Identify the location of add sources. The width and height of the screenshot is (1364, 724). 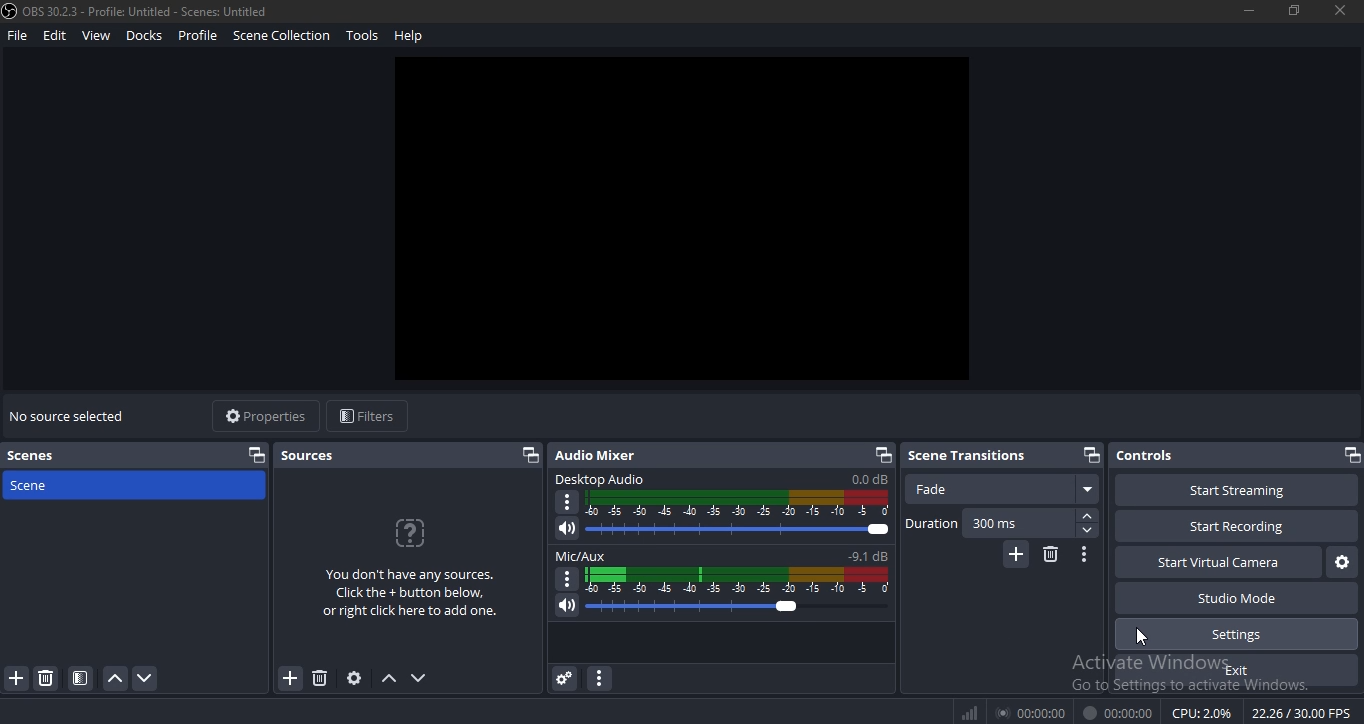
(290, 680).